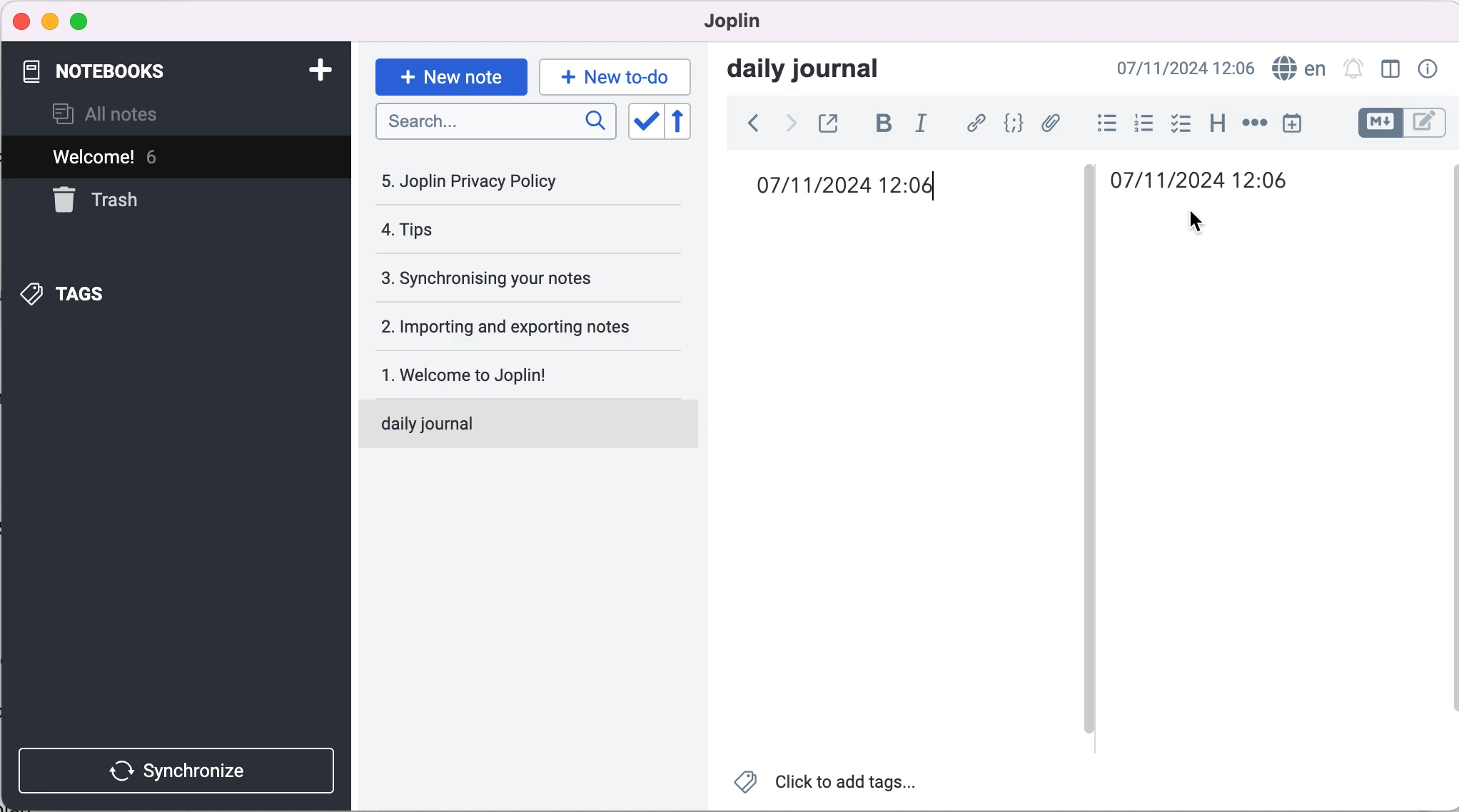  What do you see at coordinates (1213, 181) in the screenshot?
I see `time and date` at bounding box center [1213, 181].